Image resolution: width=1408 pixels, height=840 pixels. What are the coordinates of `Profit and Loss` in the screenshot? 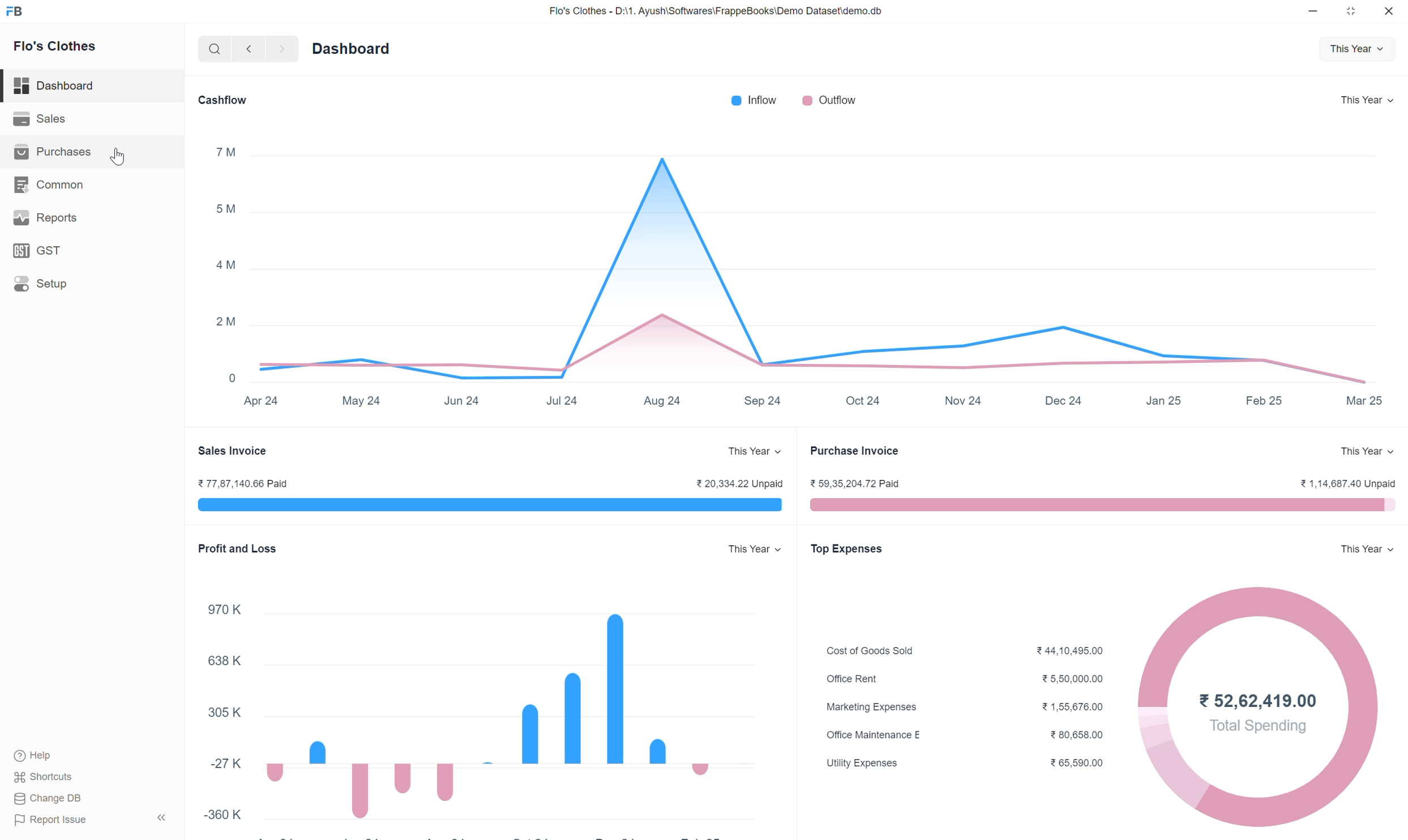 It's located at (238, 548).